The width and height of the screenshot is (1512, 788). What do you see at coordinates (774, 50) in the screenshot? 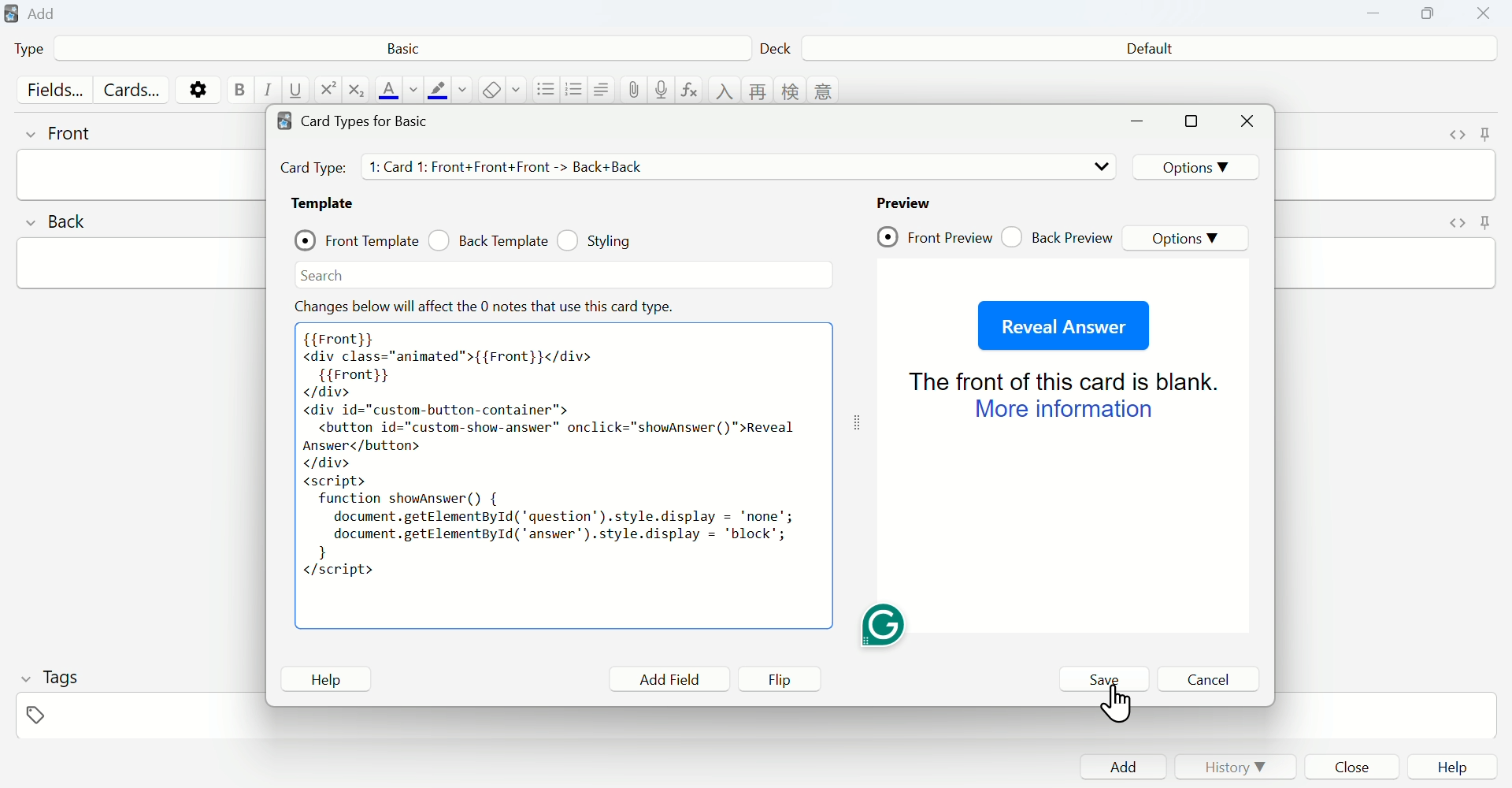
I see `Deck` at bounding box center [774, 50].